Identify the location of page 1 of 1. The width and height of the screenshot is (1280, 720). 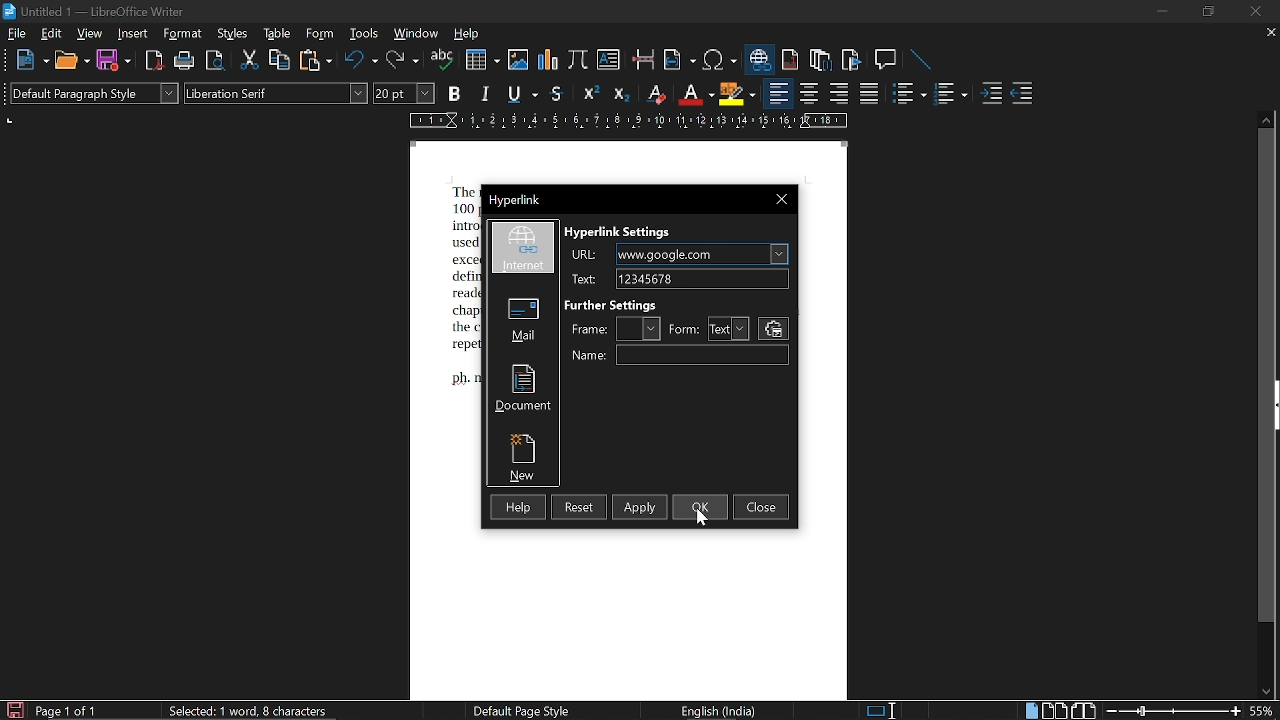
(67, 712).